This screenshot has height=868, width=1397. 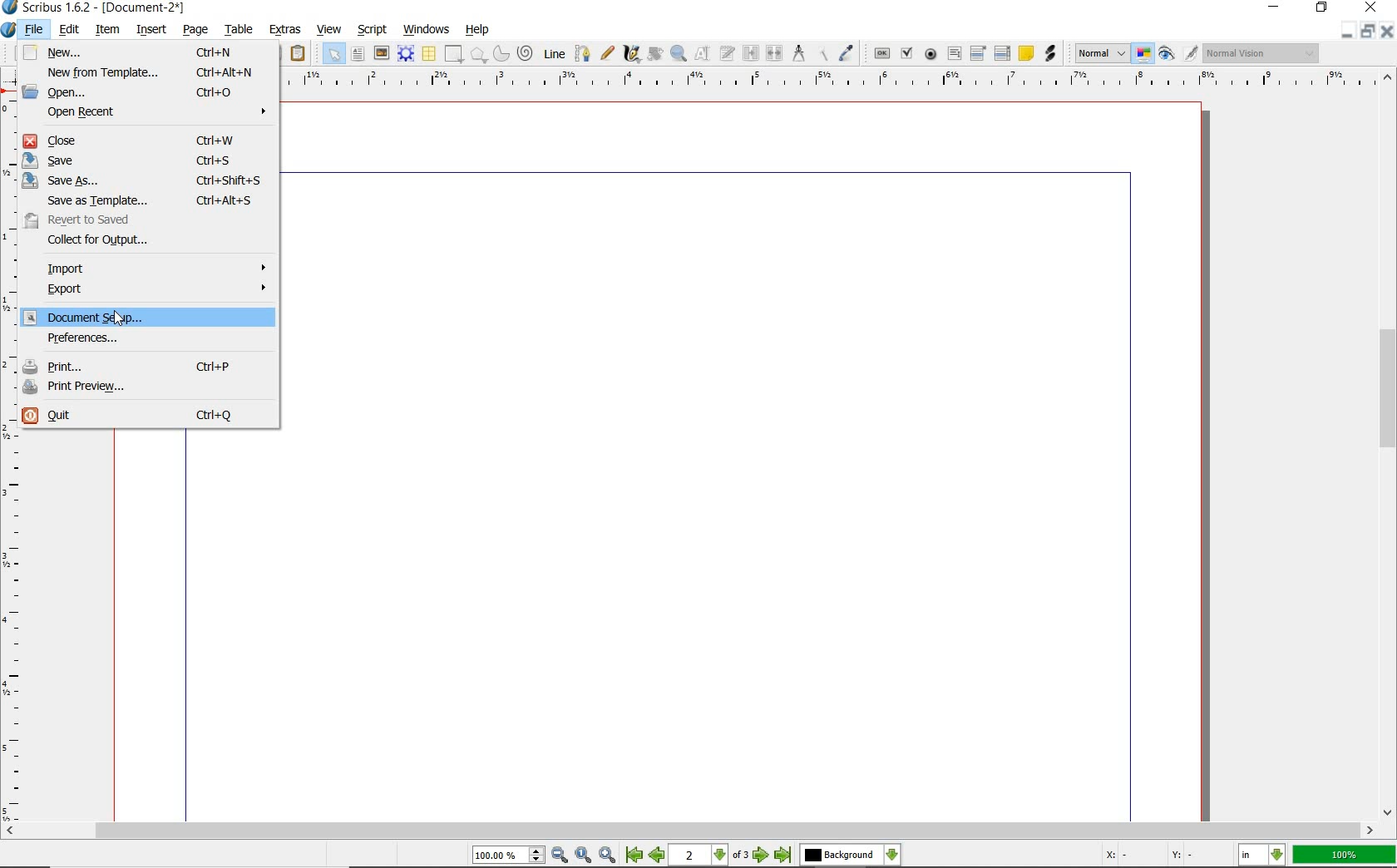 I want to click on pdf combo box, so click(x=979, y=55).